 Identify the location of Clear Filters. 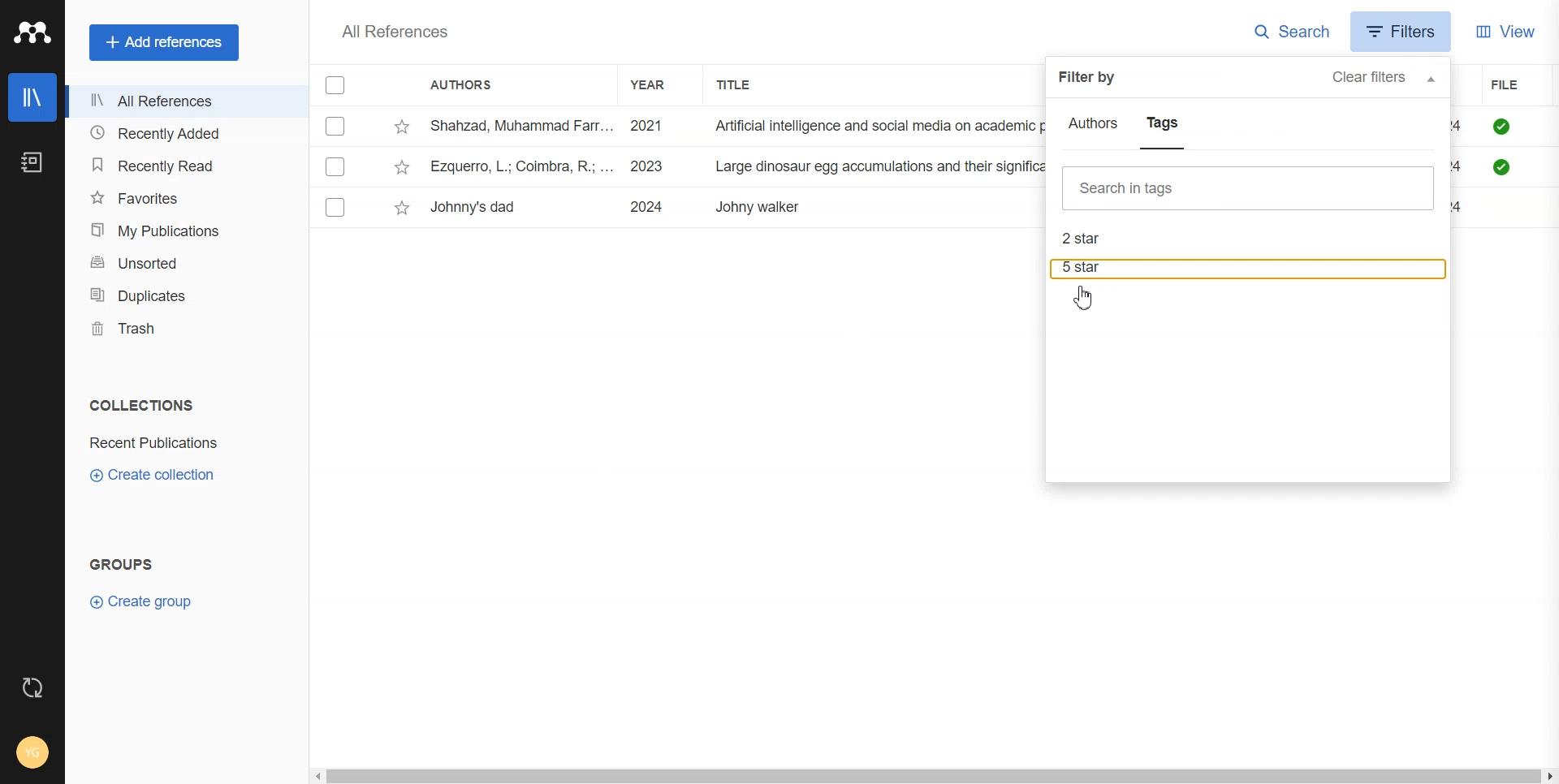
(1384, 78).